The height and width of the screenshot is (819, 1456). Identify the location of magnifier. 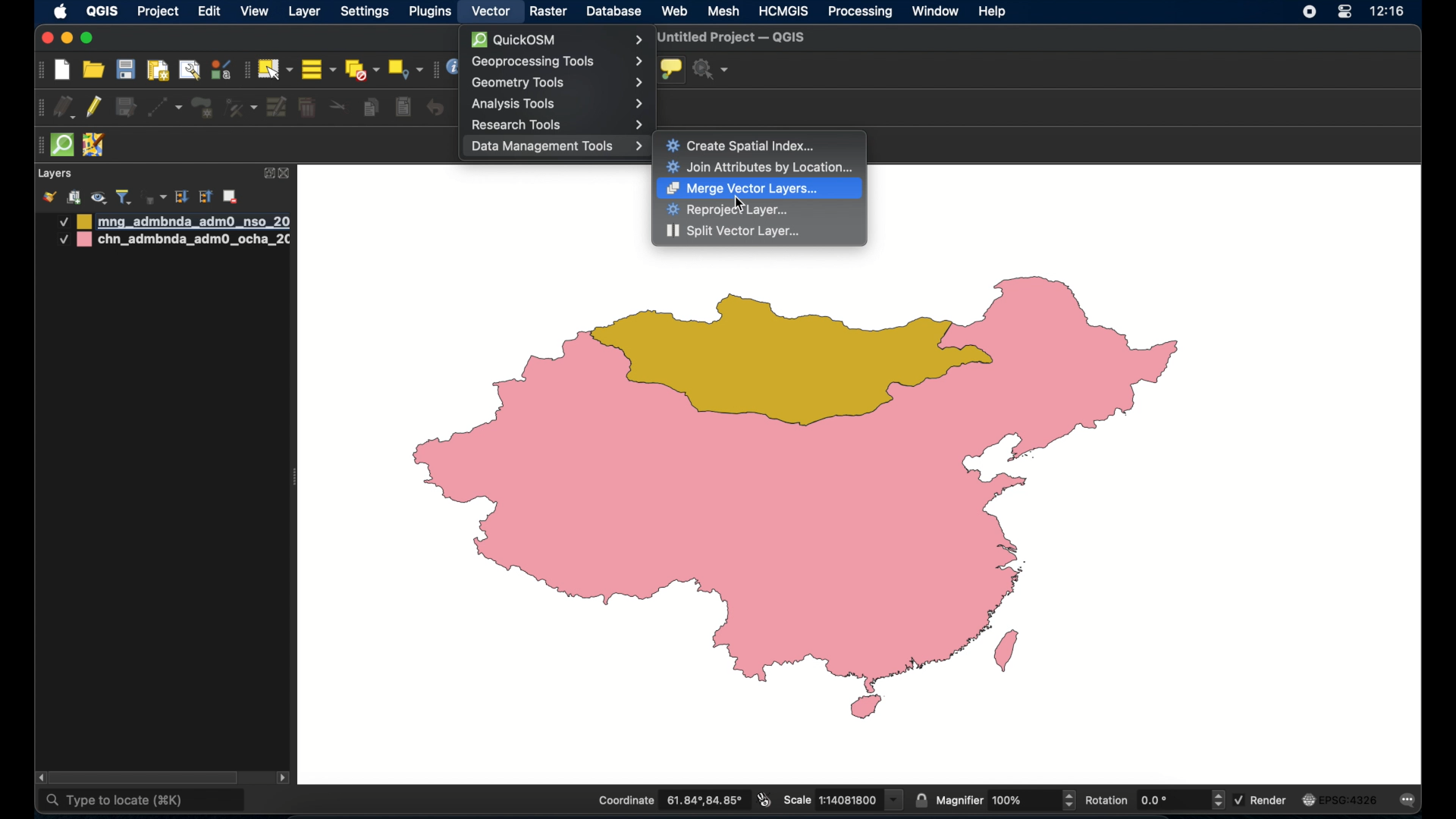
(1006, 800).